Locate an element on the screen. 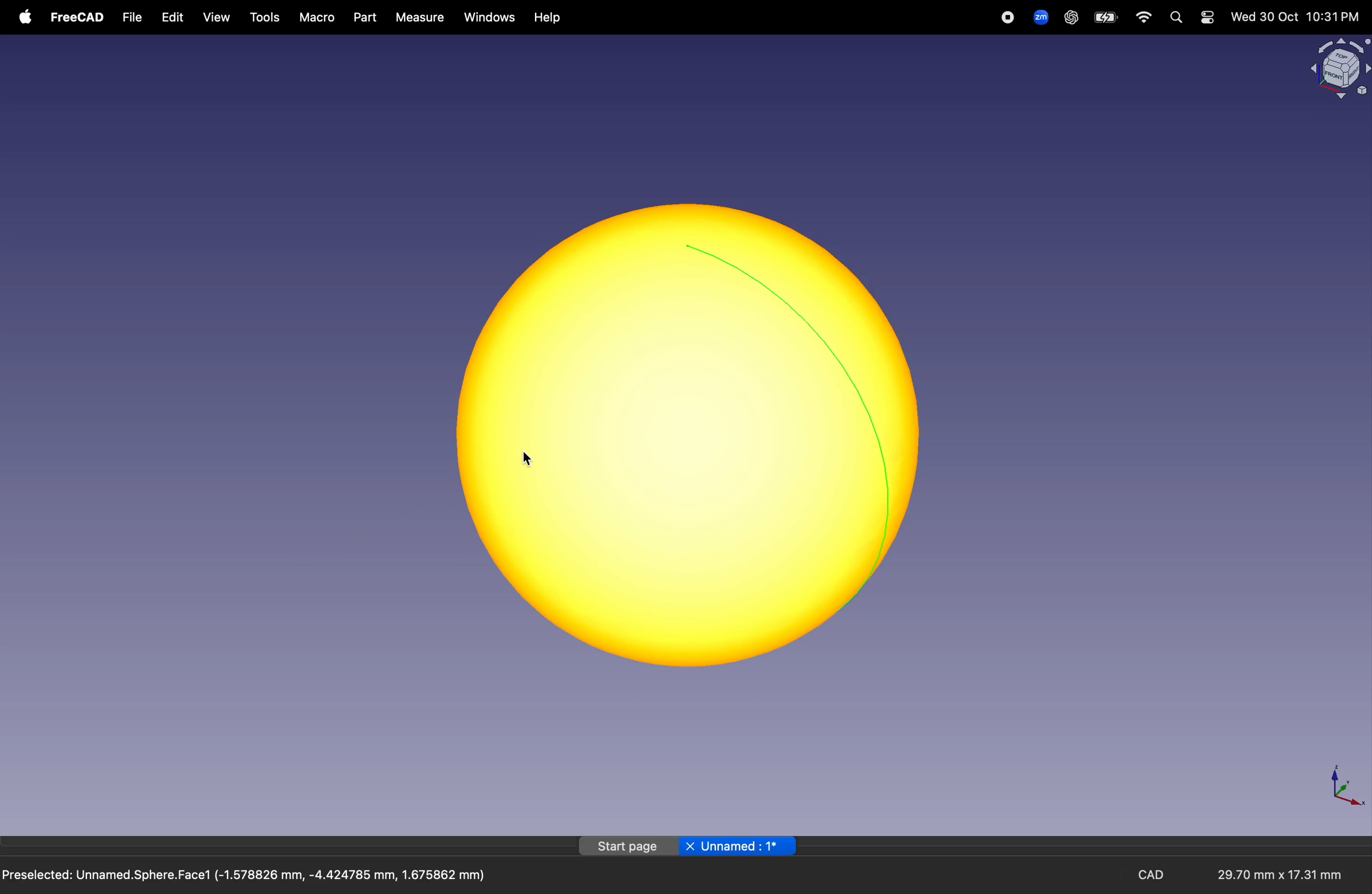 The width and height of the screenshot is (1372, 894). Wed 30 Oct 10:31 PM is located at coordinates (1294, 17).